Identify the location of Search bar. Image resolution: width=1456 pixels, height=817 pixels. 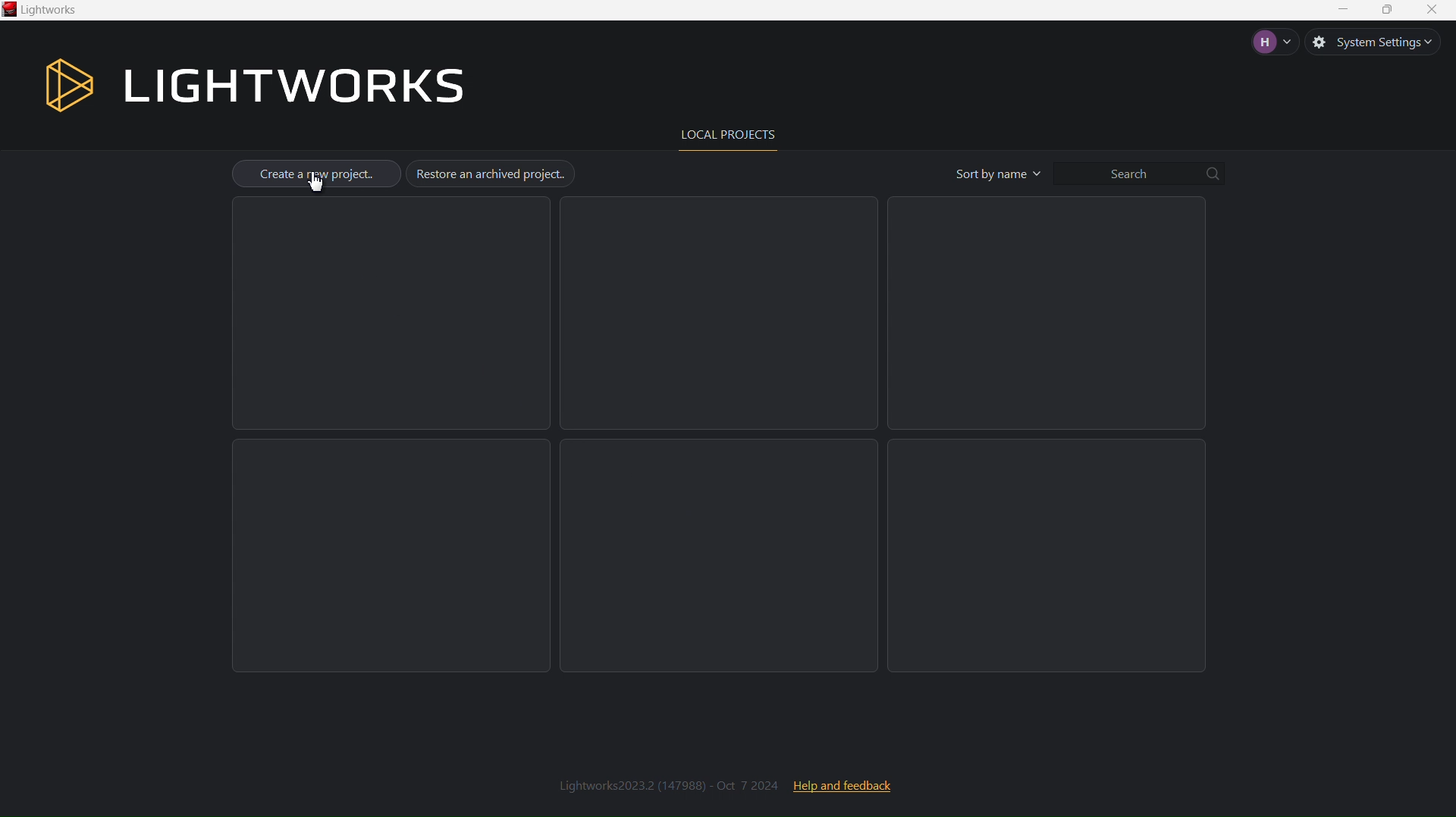
(1141, 172).